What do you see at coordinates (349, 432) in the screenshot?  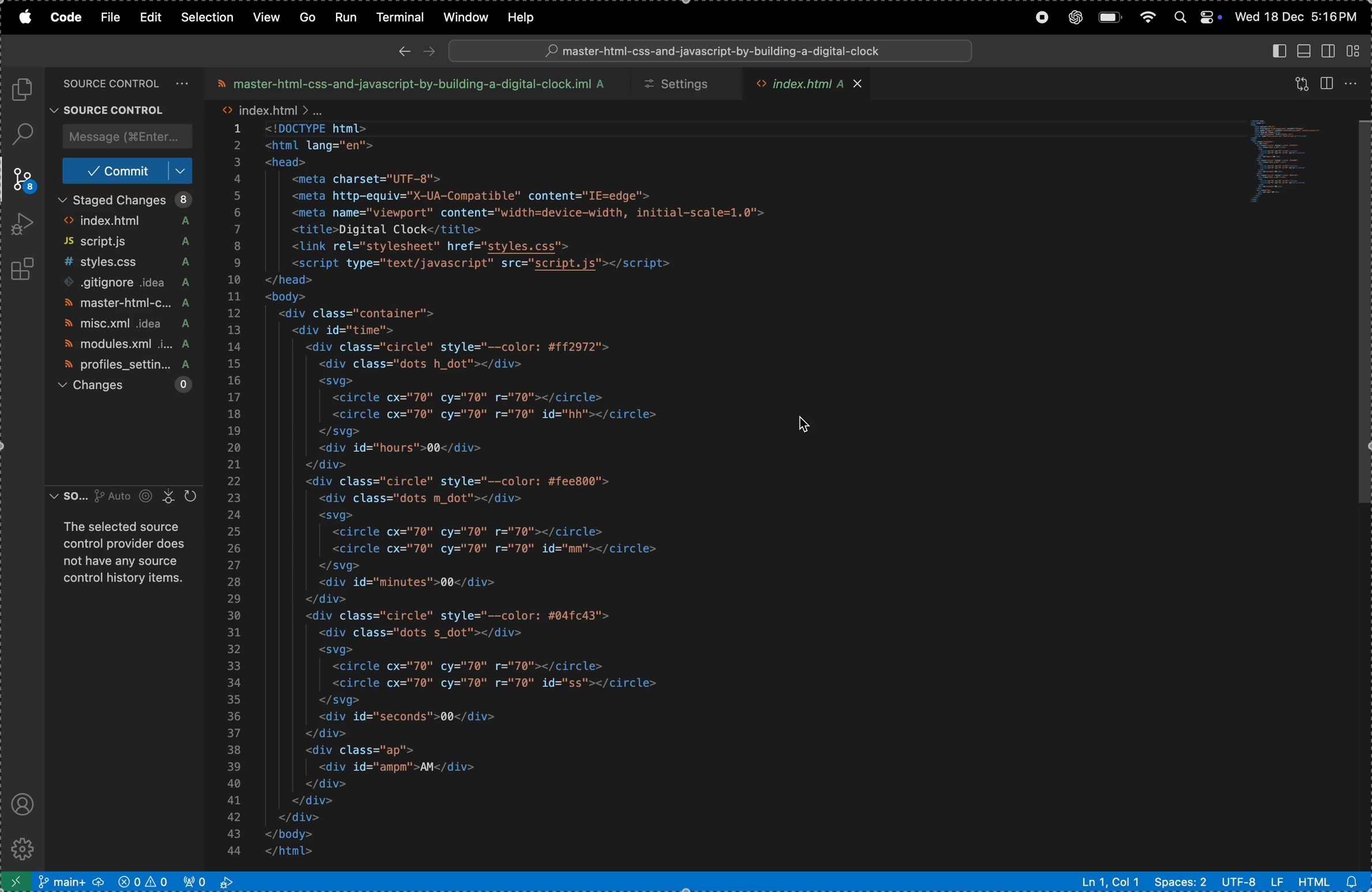 I see `</svg>` at bounding box center [349, 432].